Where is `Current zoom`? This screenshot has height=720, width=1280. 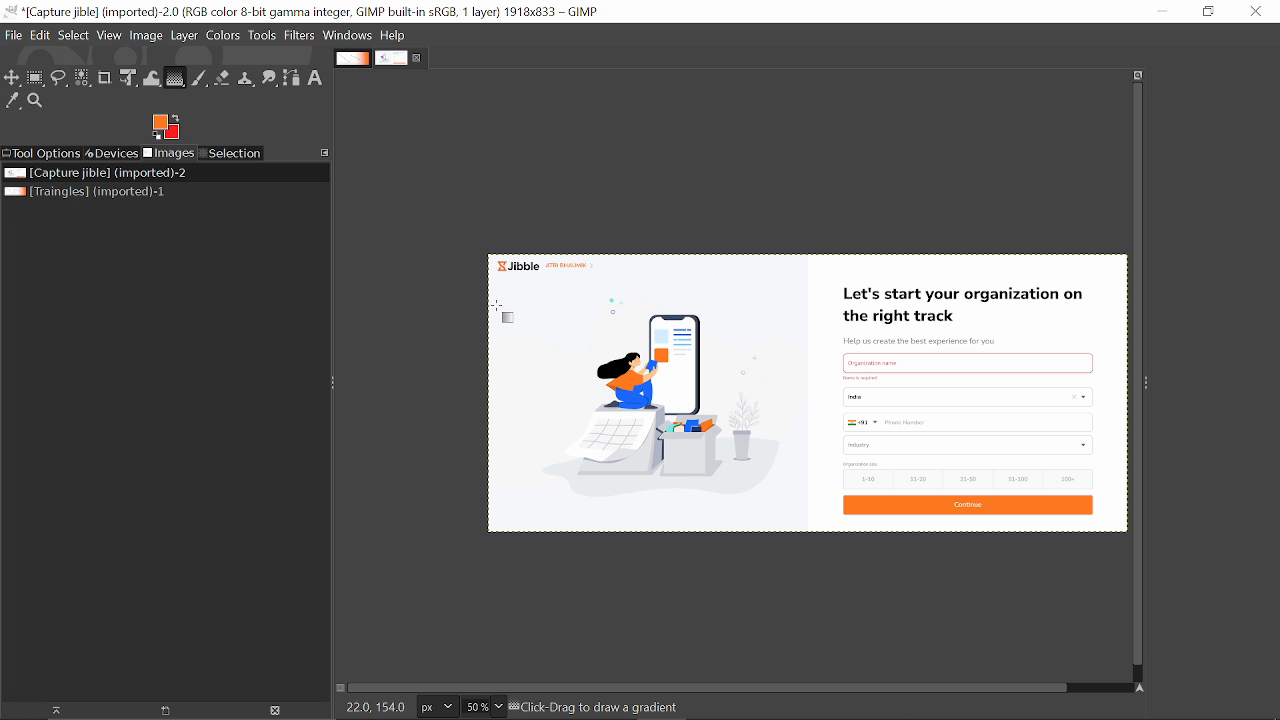 Current zoom is located at coordinates (474, 708).